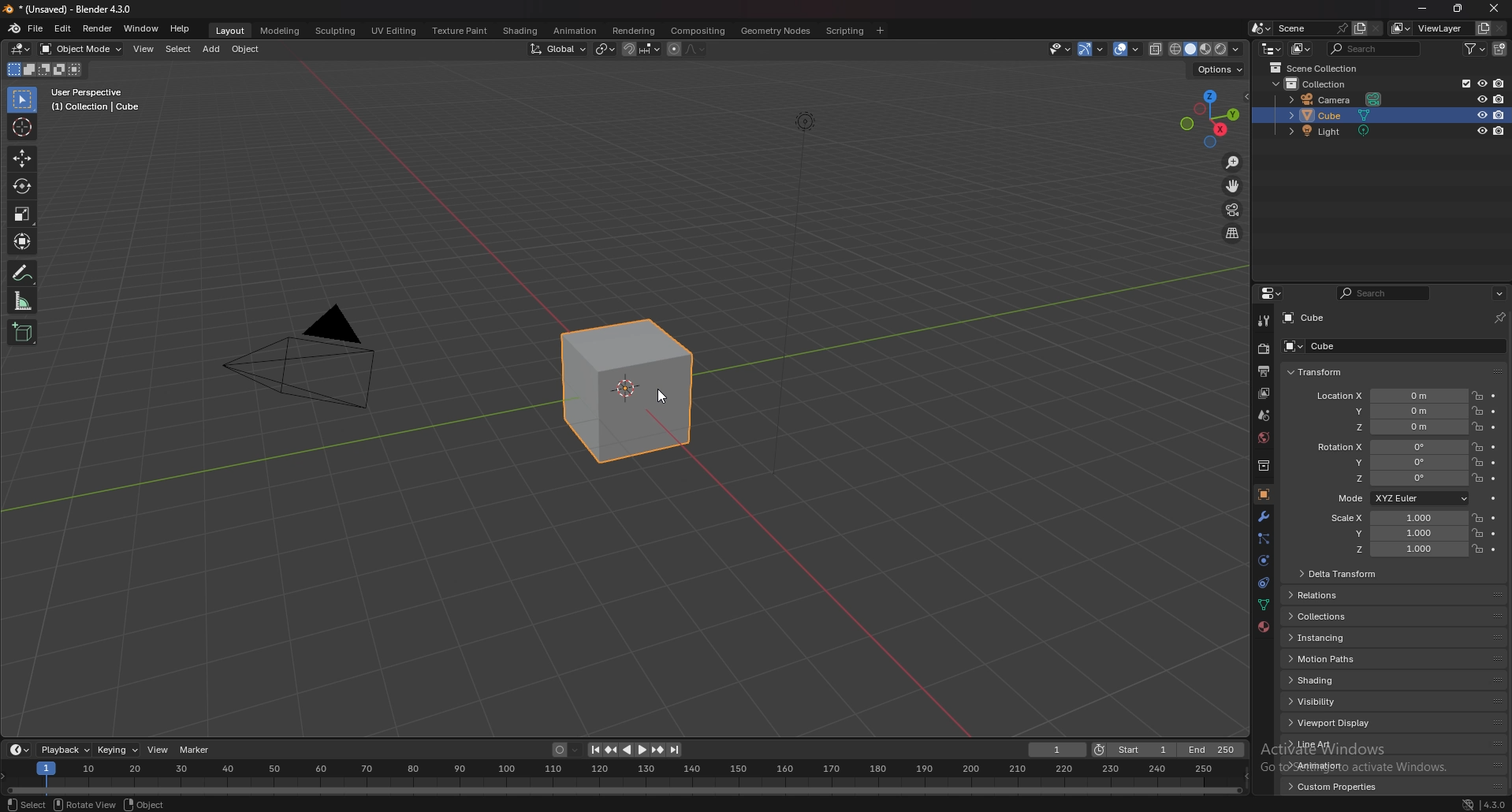  What do you see at coordinates (640, 49) in the screenshot?
I see `snapping` at bounding box center [640, 49].